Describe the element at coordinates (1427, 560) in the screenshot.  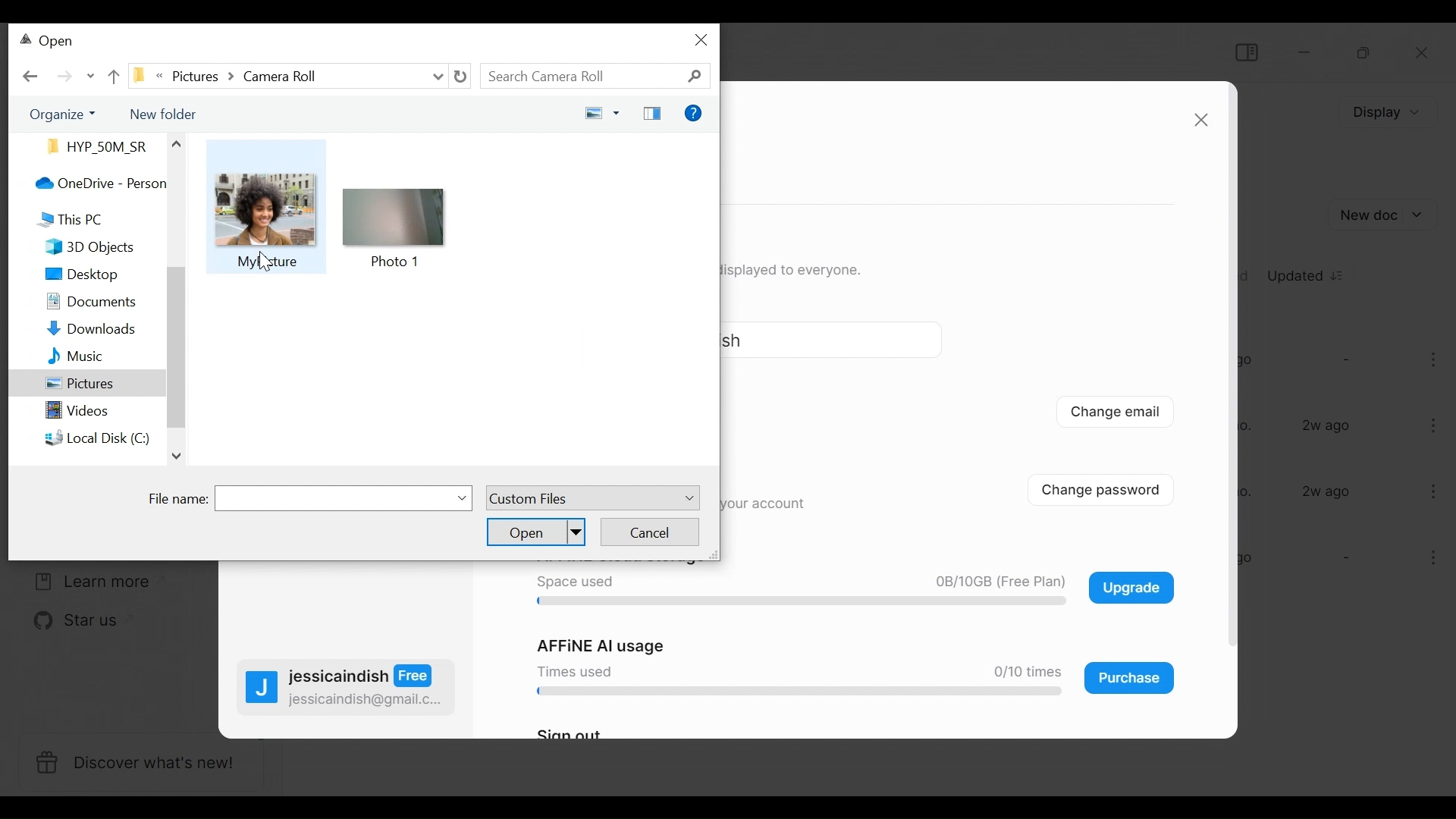
I see `more options` at that location.